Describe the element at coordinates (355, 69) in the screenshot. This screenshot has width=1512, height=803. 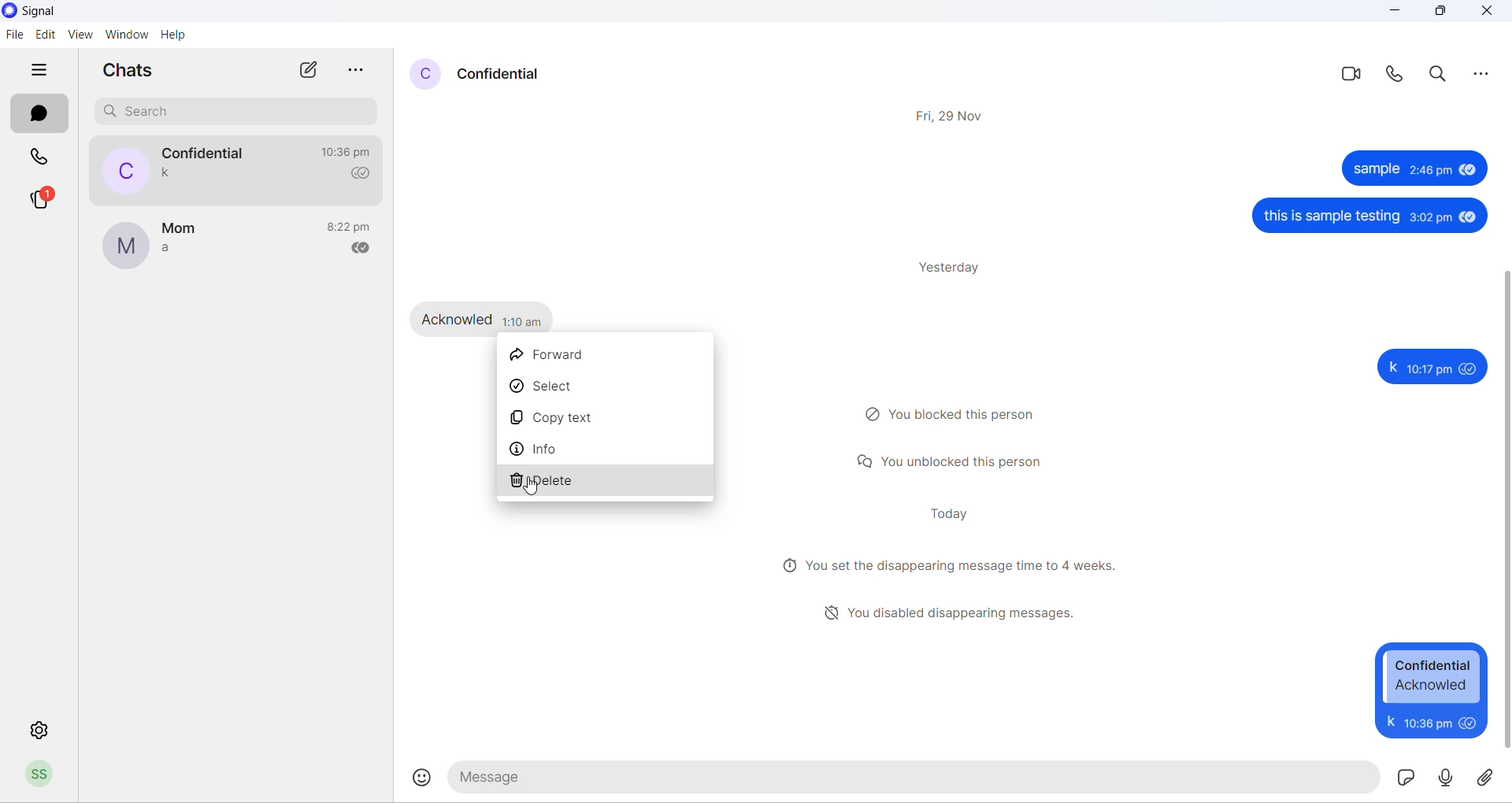
I see `more options` at that location.